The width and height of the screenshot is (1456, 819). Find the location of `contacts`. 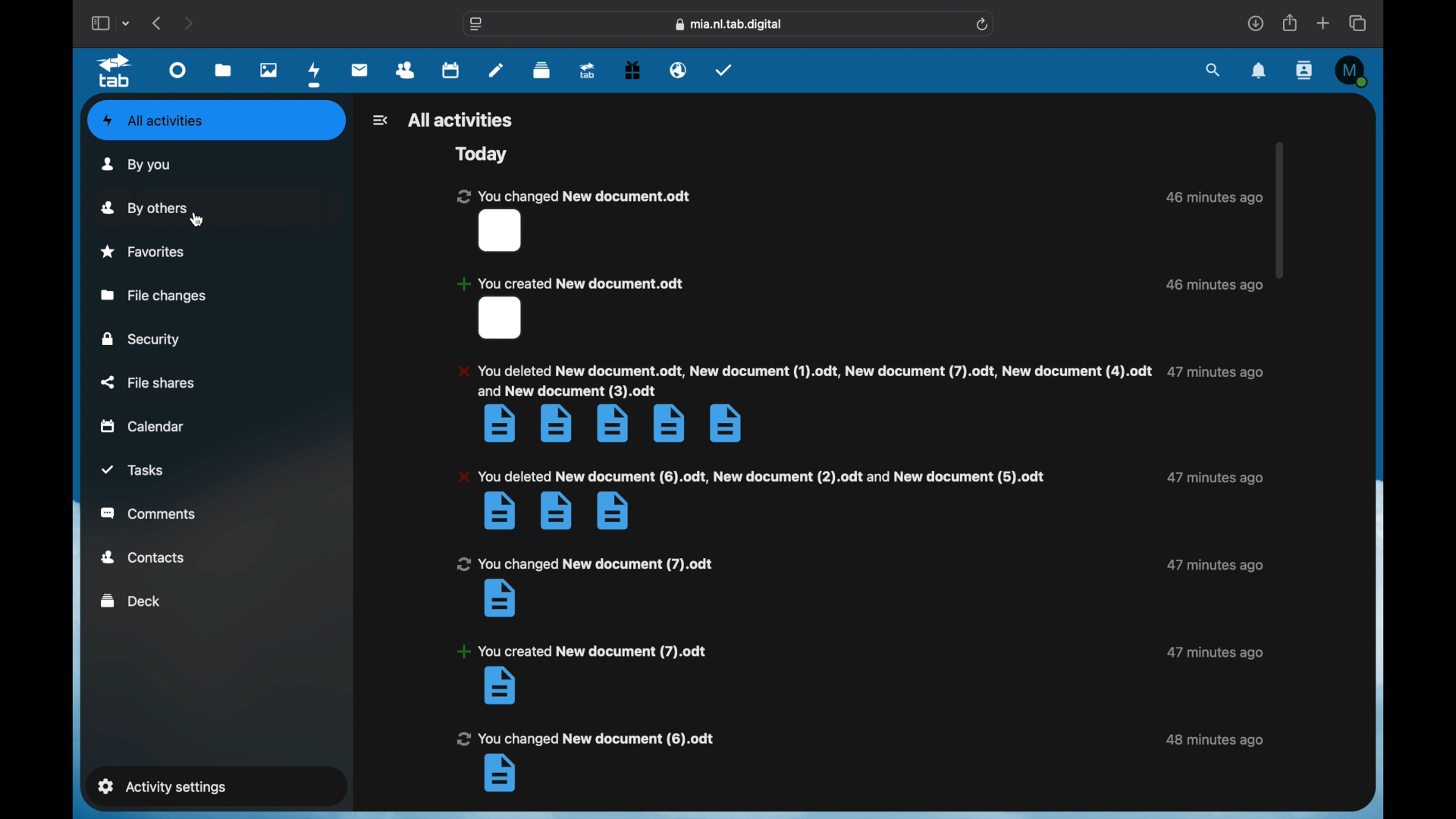

contacts is located at coordinates (140, 557).